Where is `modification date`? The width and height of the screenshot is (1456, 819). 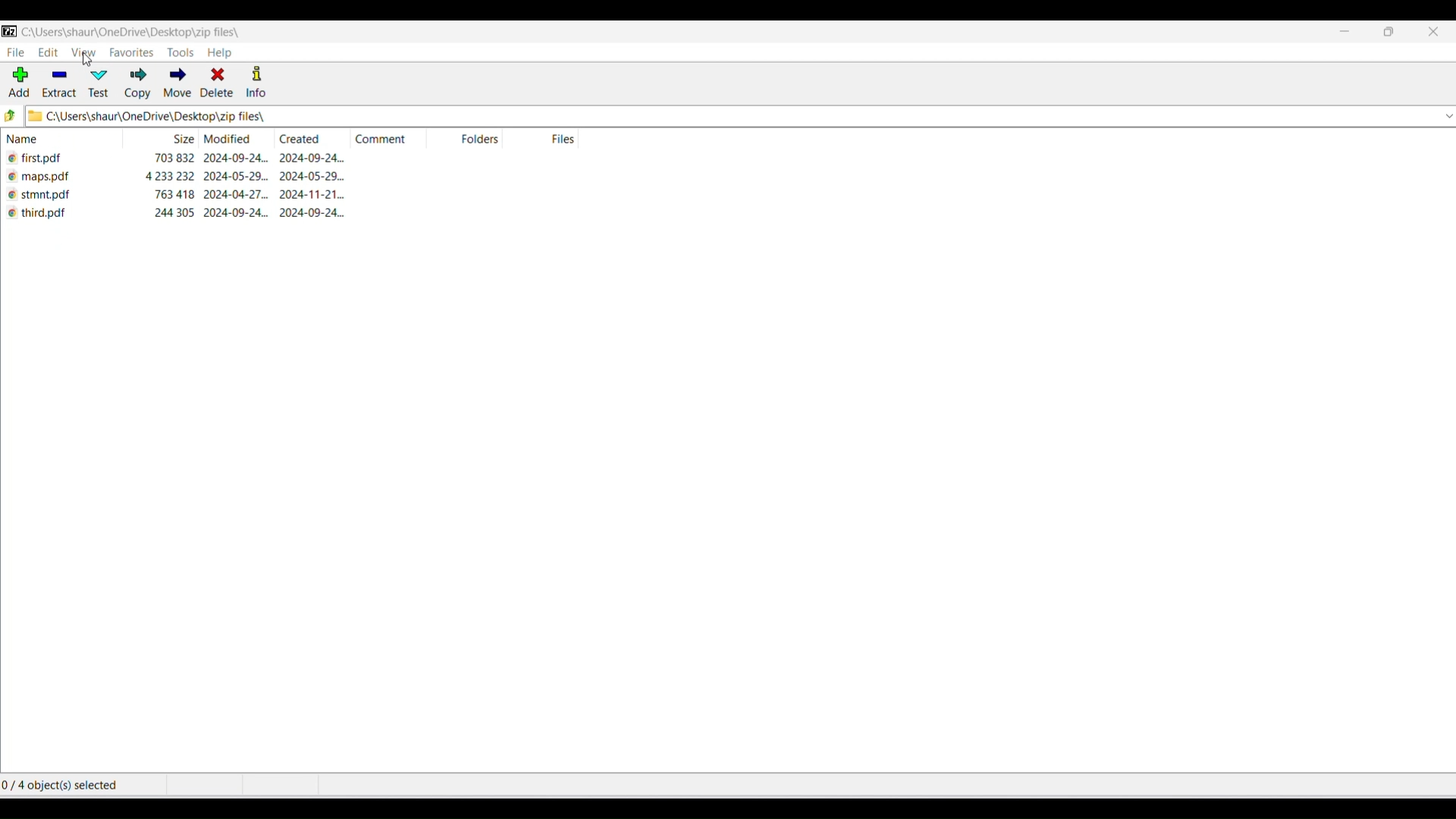 modification date is located at coordinates (240, 158).